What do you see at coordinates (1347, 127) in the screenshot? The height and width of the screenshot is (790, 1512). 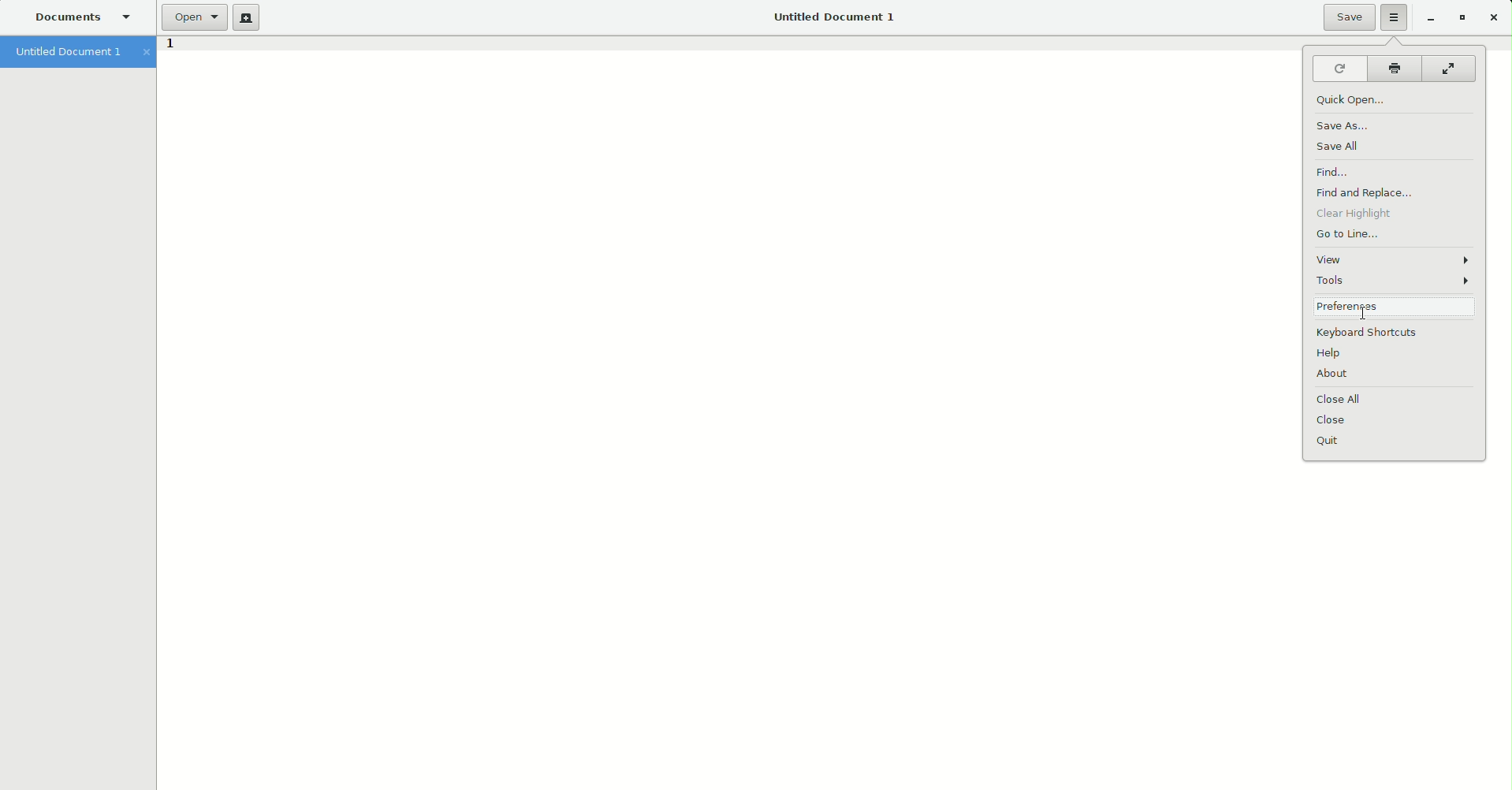 I see `Save as` at bounding box center [1347, 127].